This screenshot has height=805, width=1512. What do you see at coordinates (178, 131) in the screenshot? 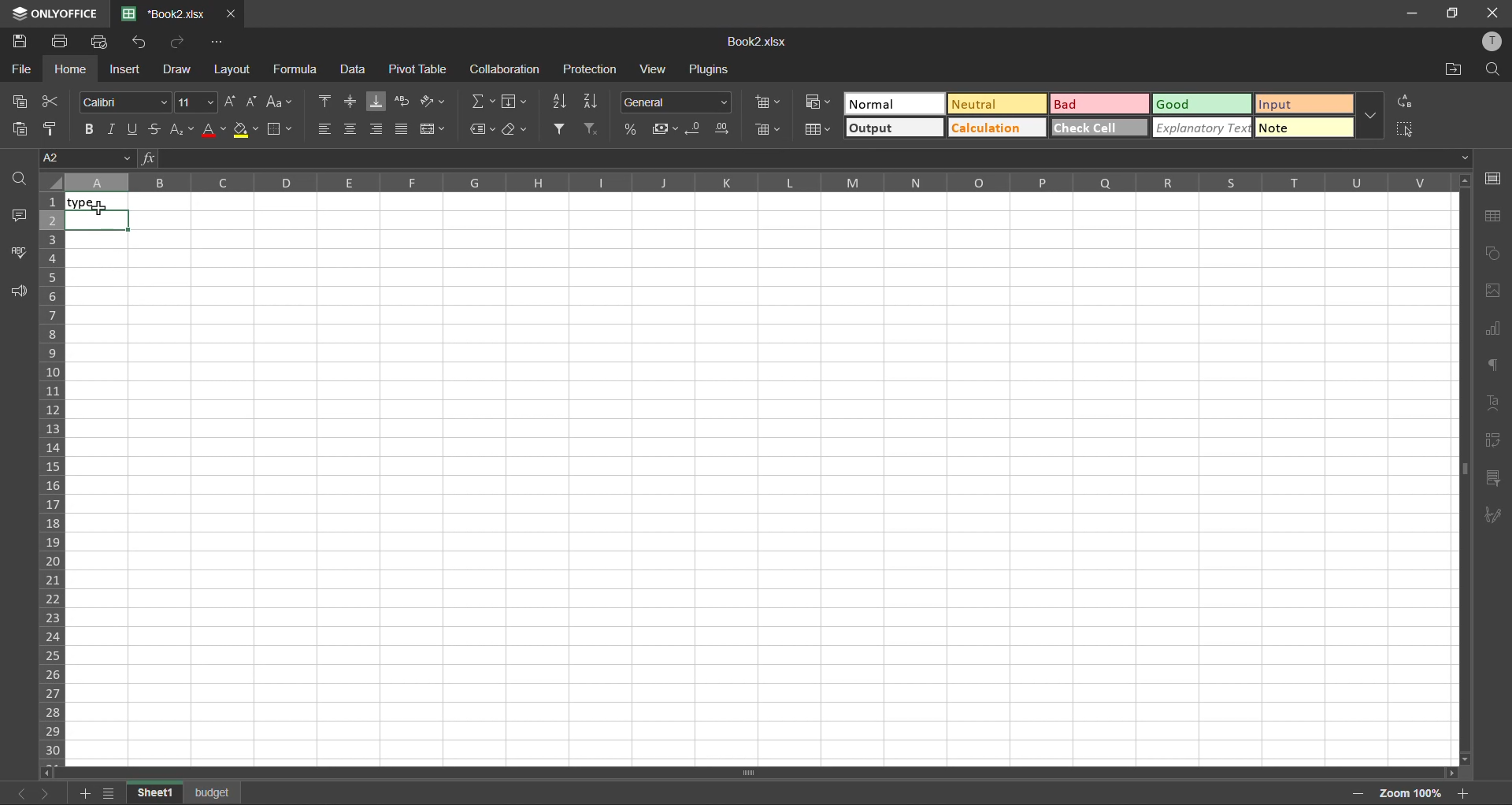
I see `sub/superscript` at bounding box center [178, 131].